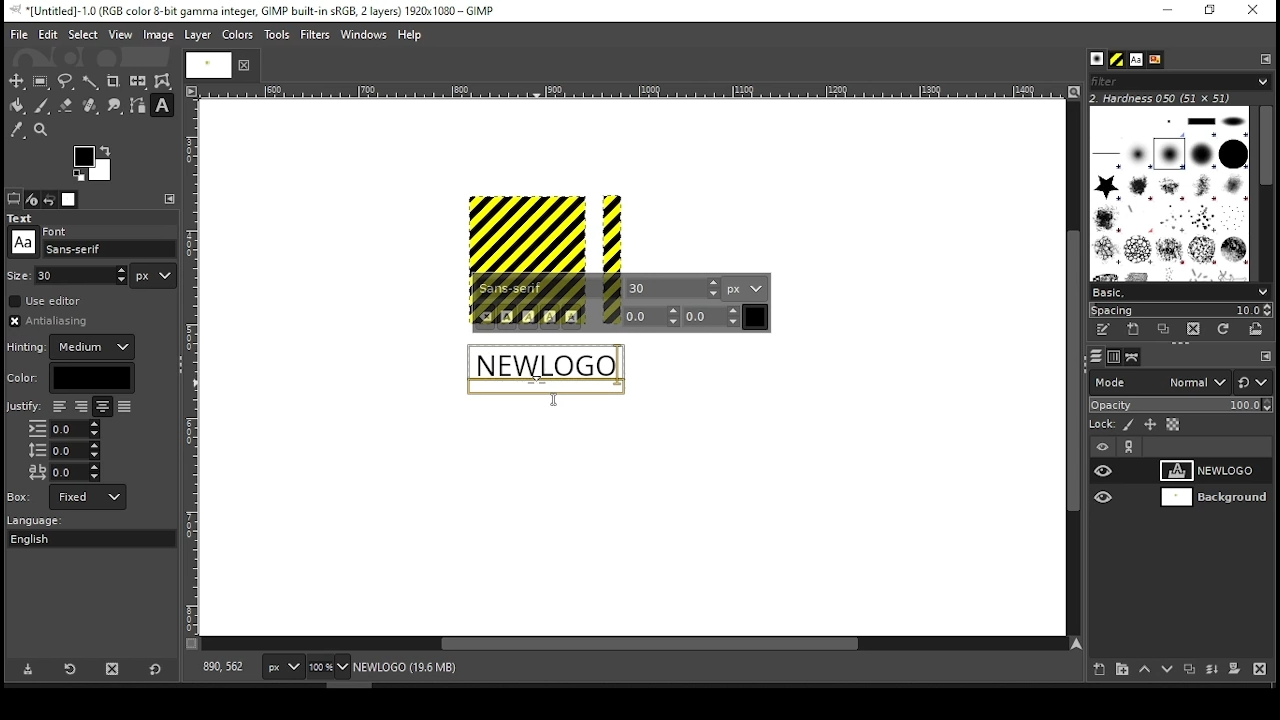  What do you see at coordinates (49, 538) in the screenshot?
I see `english` at bounding box center [49, 538].